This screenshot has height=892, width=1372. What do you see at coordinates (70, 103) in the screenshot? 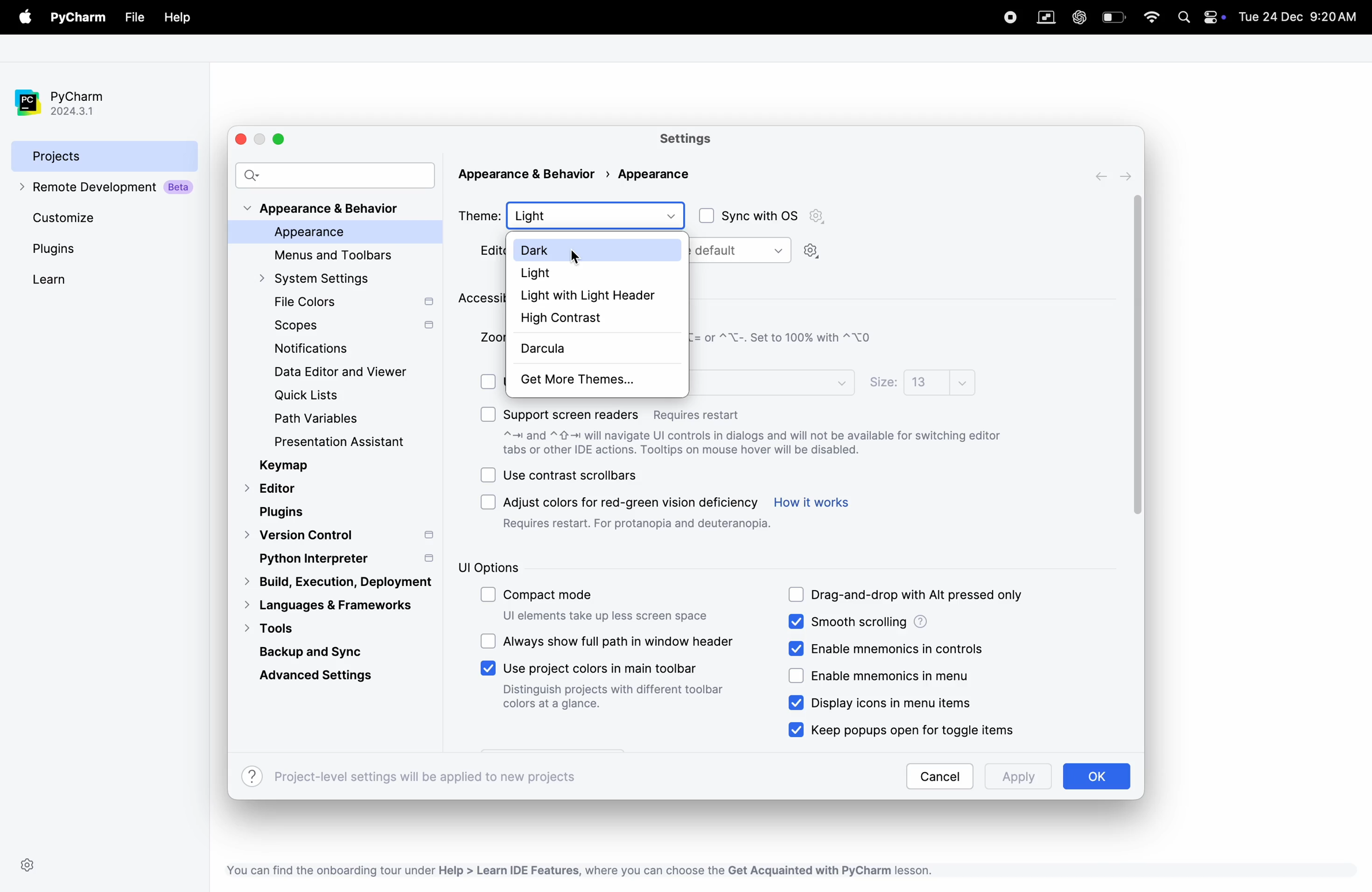
I see `pycharm version` at bounding box center [70, 103].